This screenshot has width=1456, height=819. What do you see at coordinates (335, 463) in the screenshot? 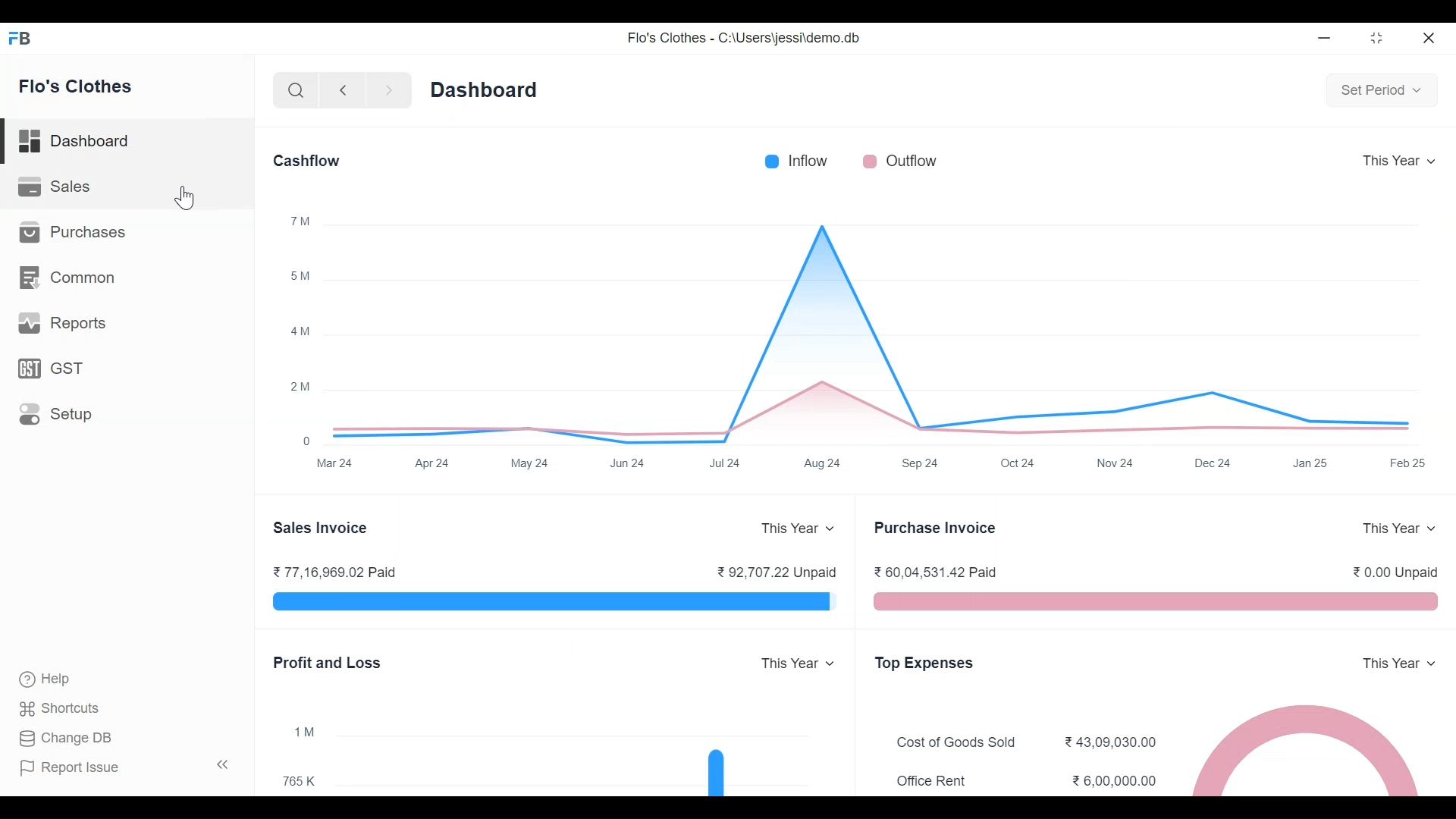
I see `Mar 24` at bounding box center [335, 463].